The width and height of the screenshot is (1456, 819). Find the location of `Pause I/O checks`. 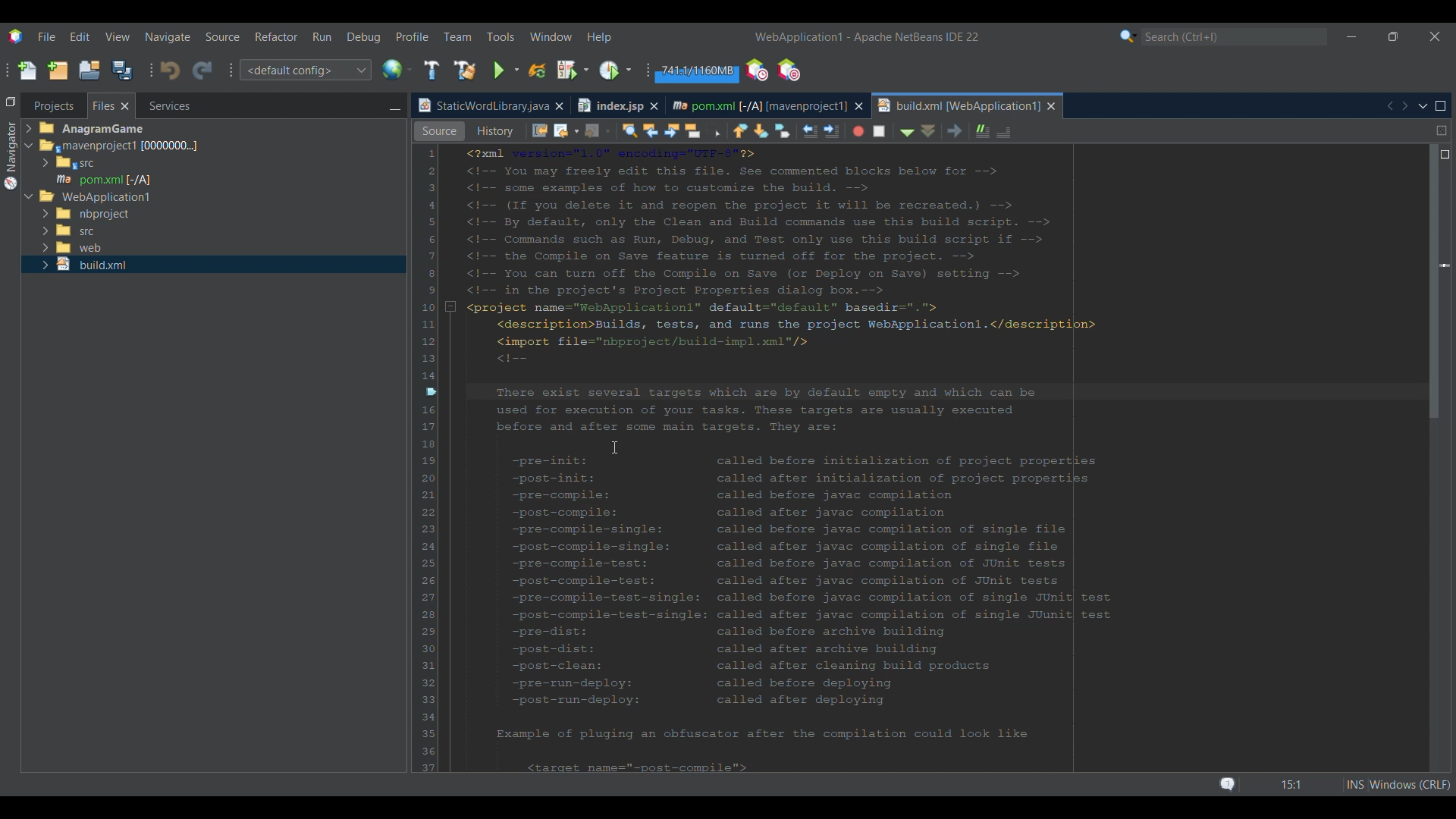

Pause I/O checks is located at coordinates (788, 70).